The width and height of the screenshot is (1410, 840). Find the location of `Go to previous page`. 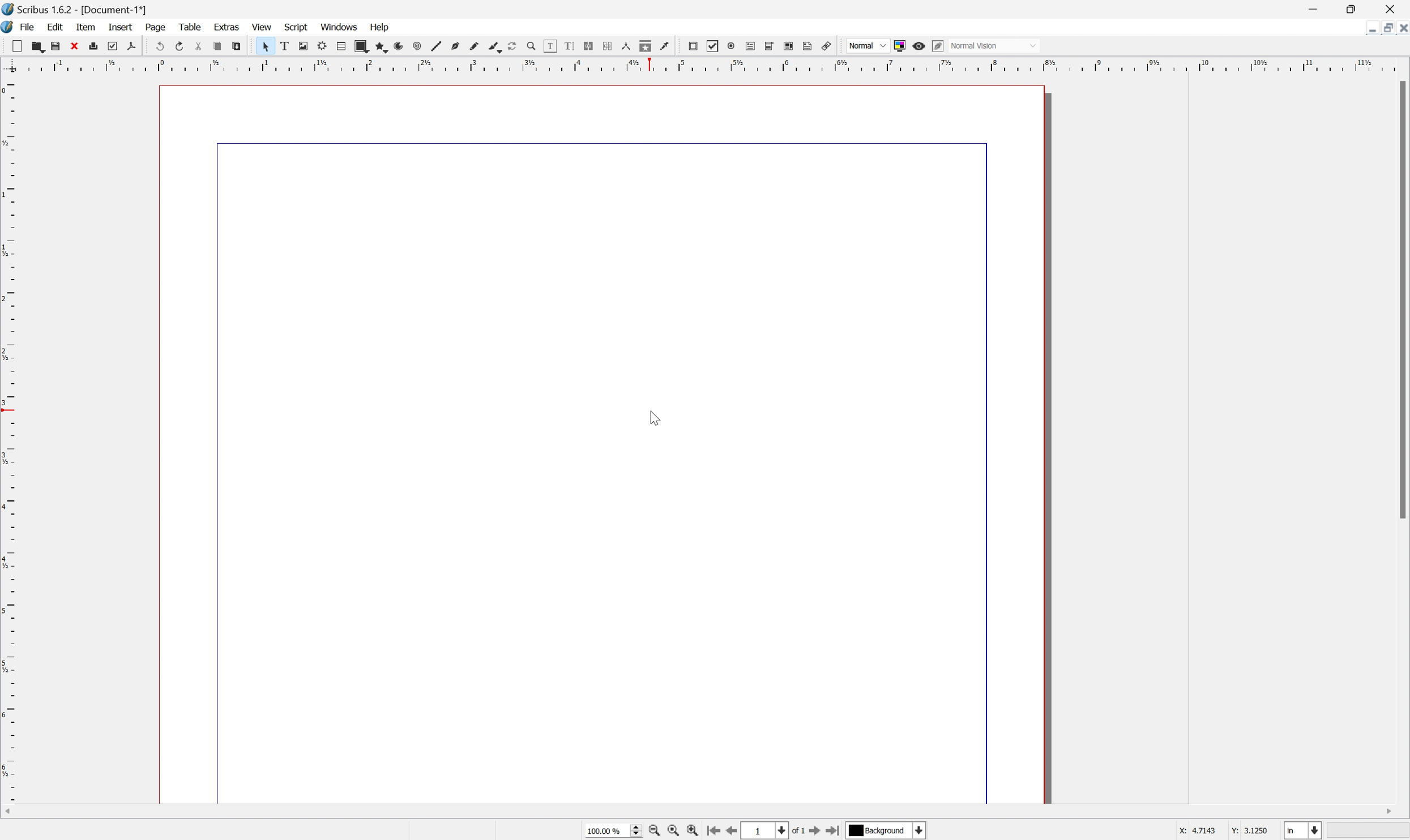

Go to previous page is located at coordinates (732, 832).